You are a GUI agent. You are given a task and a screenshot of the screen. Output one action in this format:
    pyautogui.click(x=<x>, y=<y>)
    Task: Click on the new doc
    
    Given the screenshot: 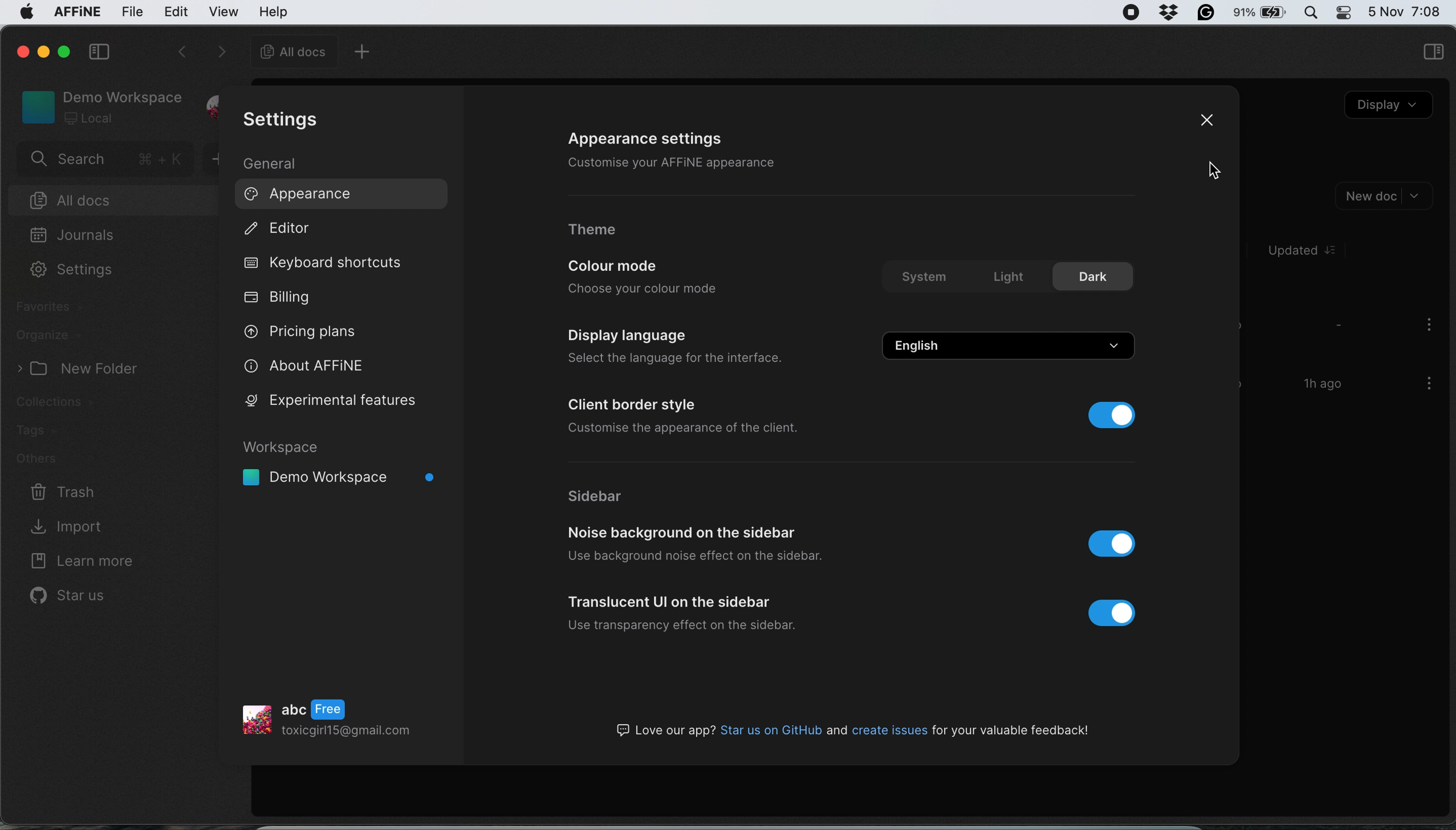 What is the action you would take?
    pyautogui.click(x=1391, y=194)
    